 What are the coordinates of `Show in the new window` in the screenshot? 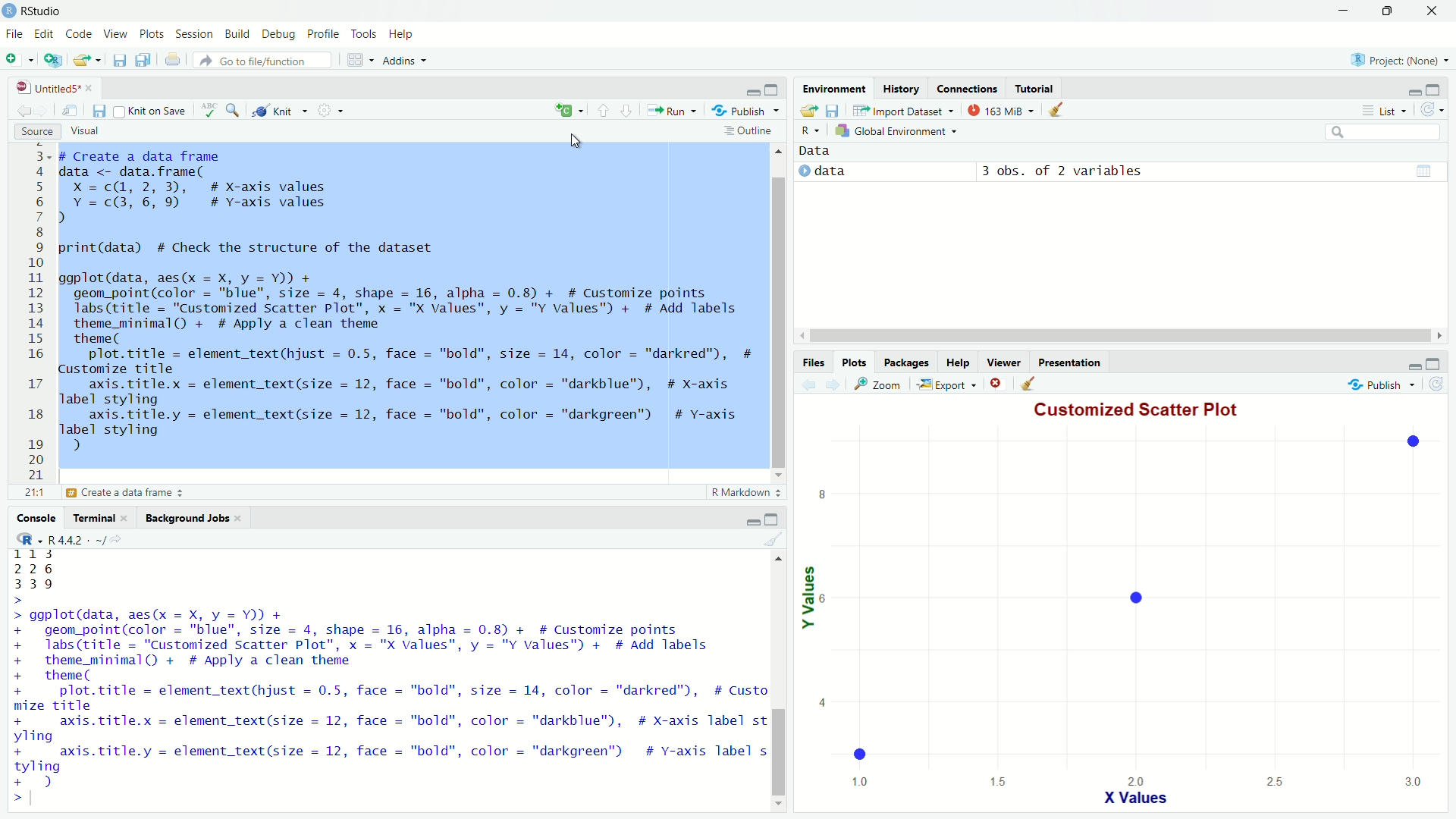 It's located at (71, 115).